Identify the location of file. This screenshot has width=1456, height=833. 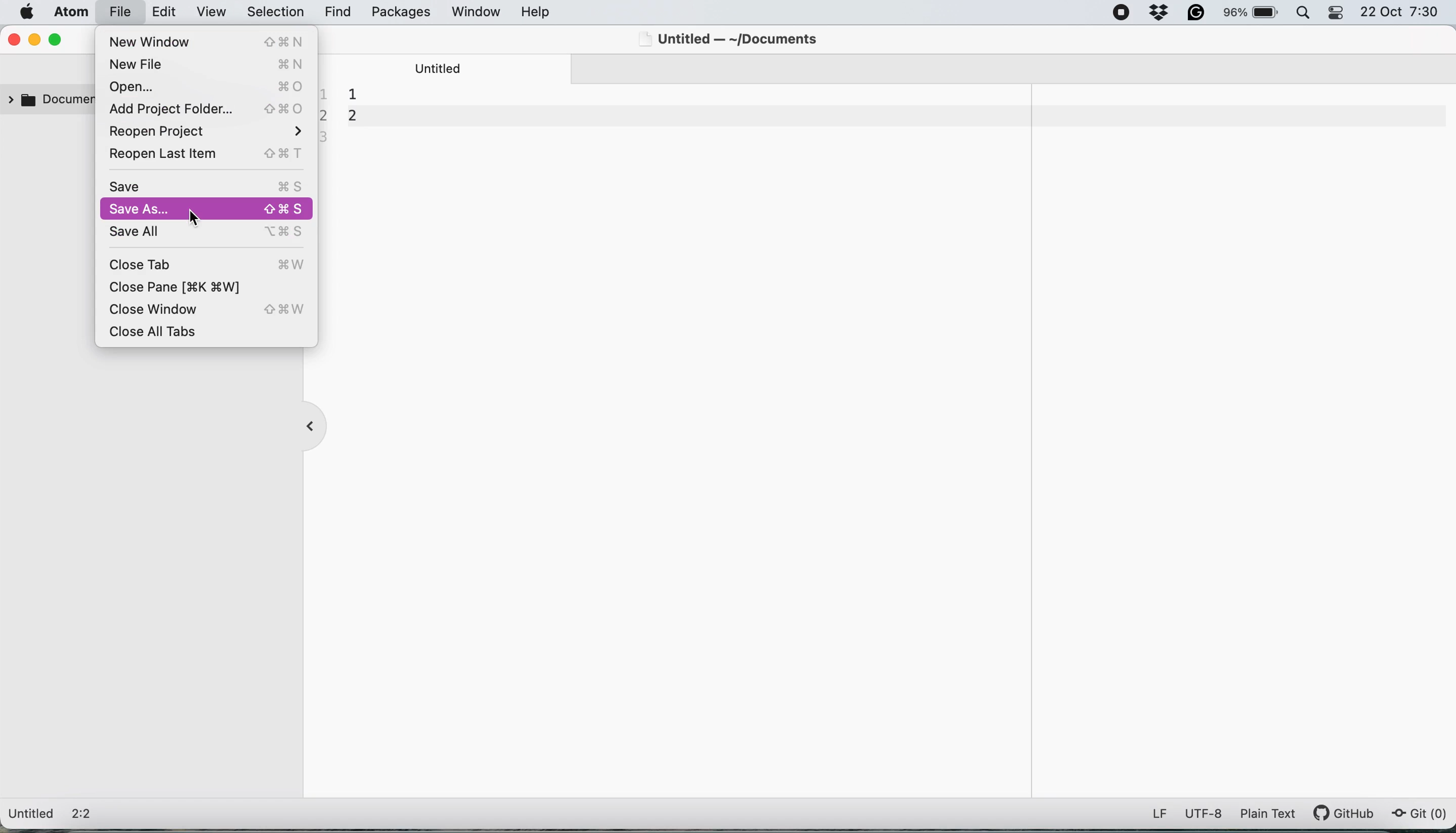
(128, 12).